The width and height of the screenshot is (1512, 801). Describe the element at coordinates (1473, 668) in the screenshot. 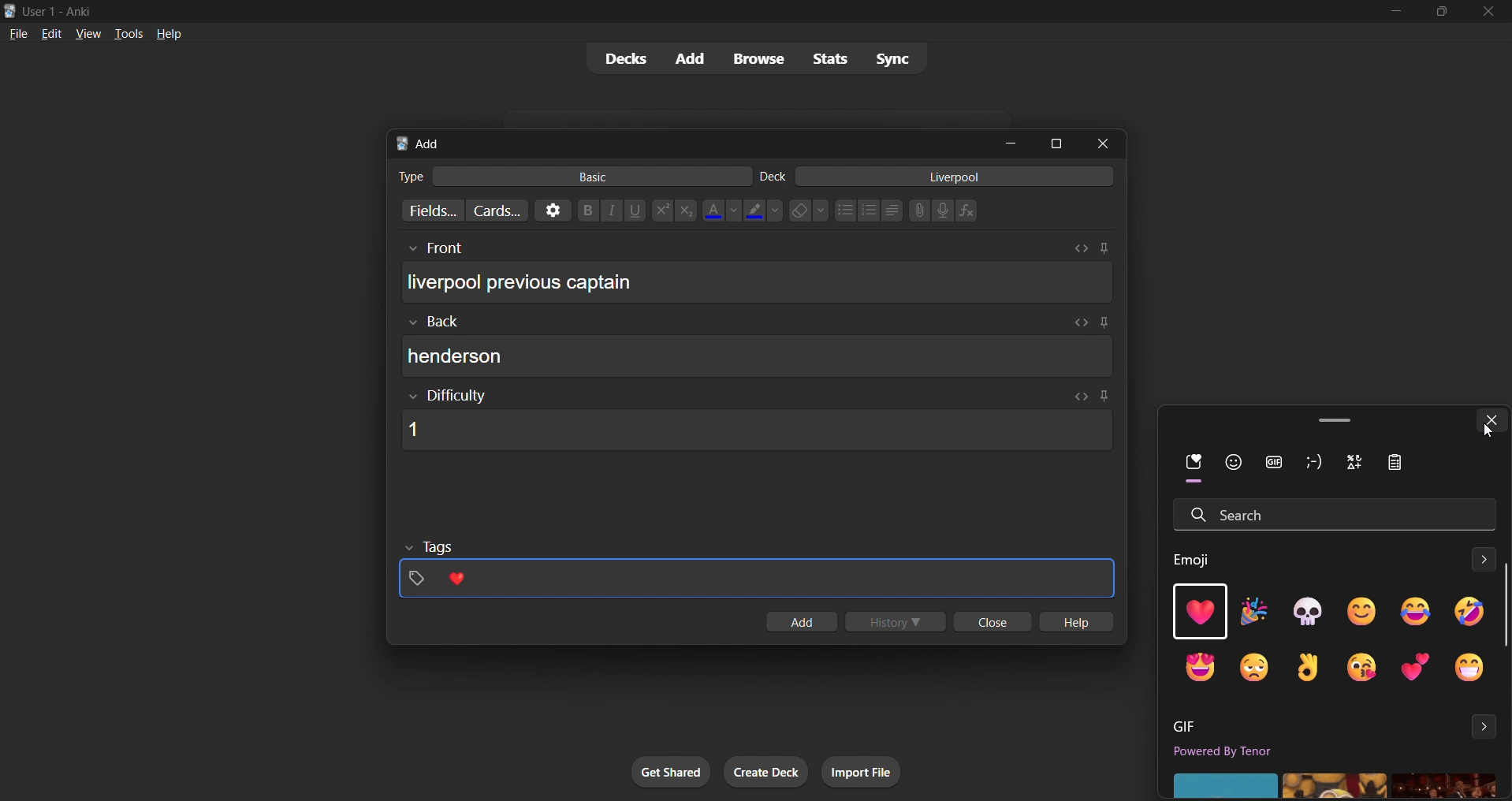

I see `emoji` at that location.